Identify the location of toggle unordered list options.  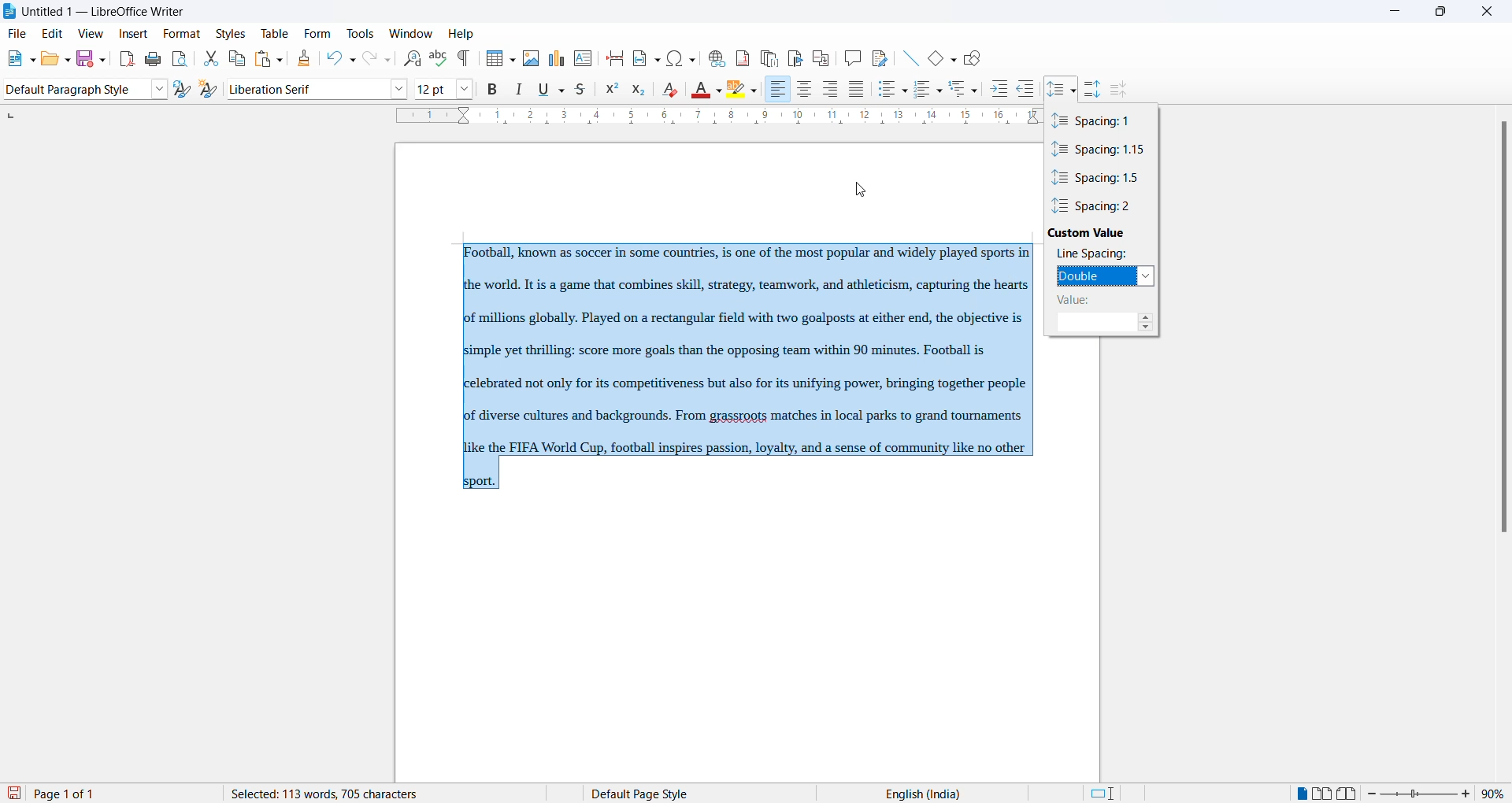
(903, 92).